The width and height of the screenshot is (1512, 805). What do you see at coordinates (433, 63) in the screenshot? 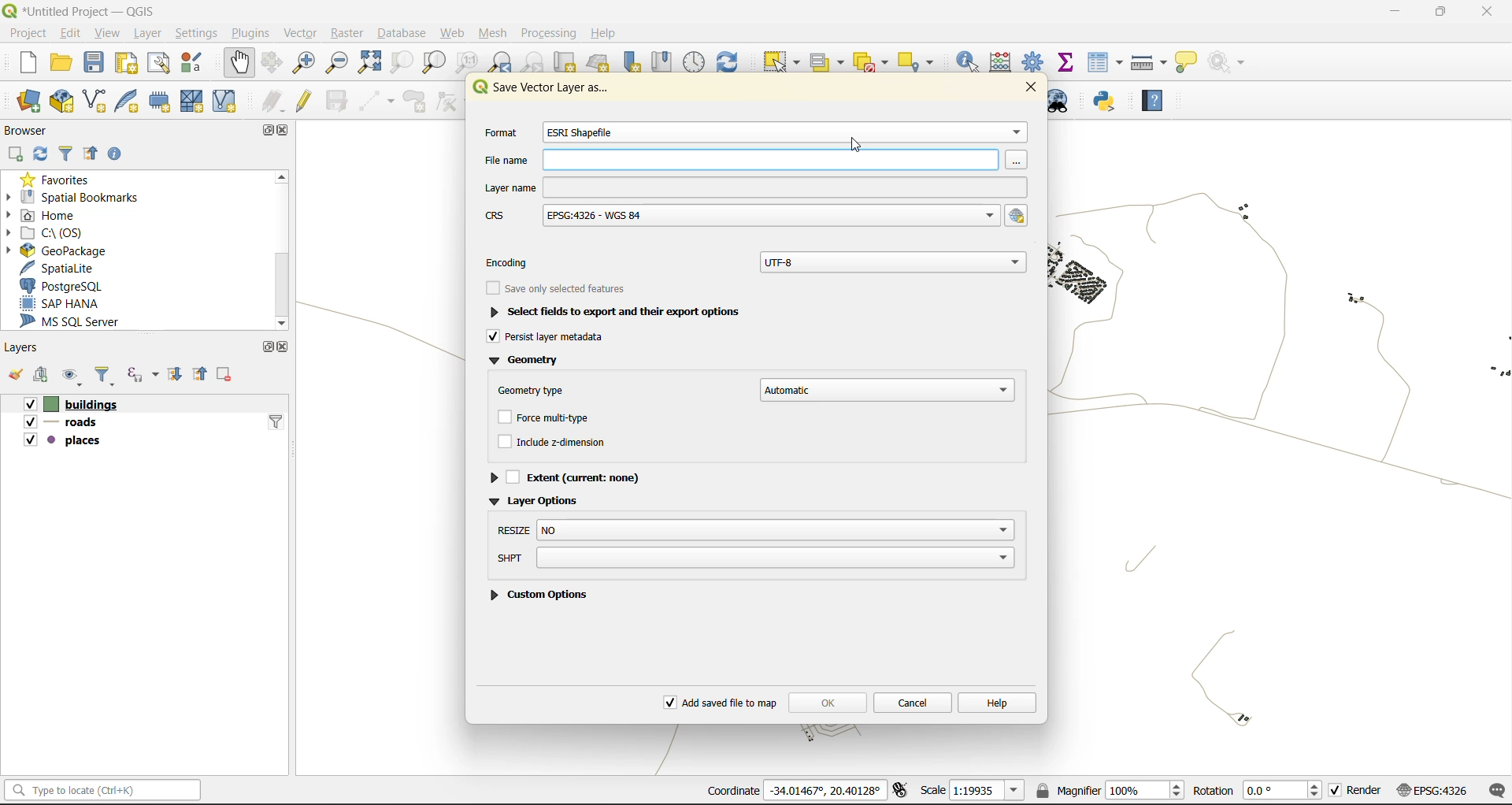
I see `zoom layer` at bounding box center [433, 63].